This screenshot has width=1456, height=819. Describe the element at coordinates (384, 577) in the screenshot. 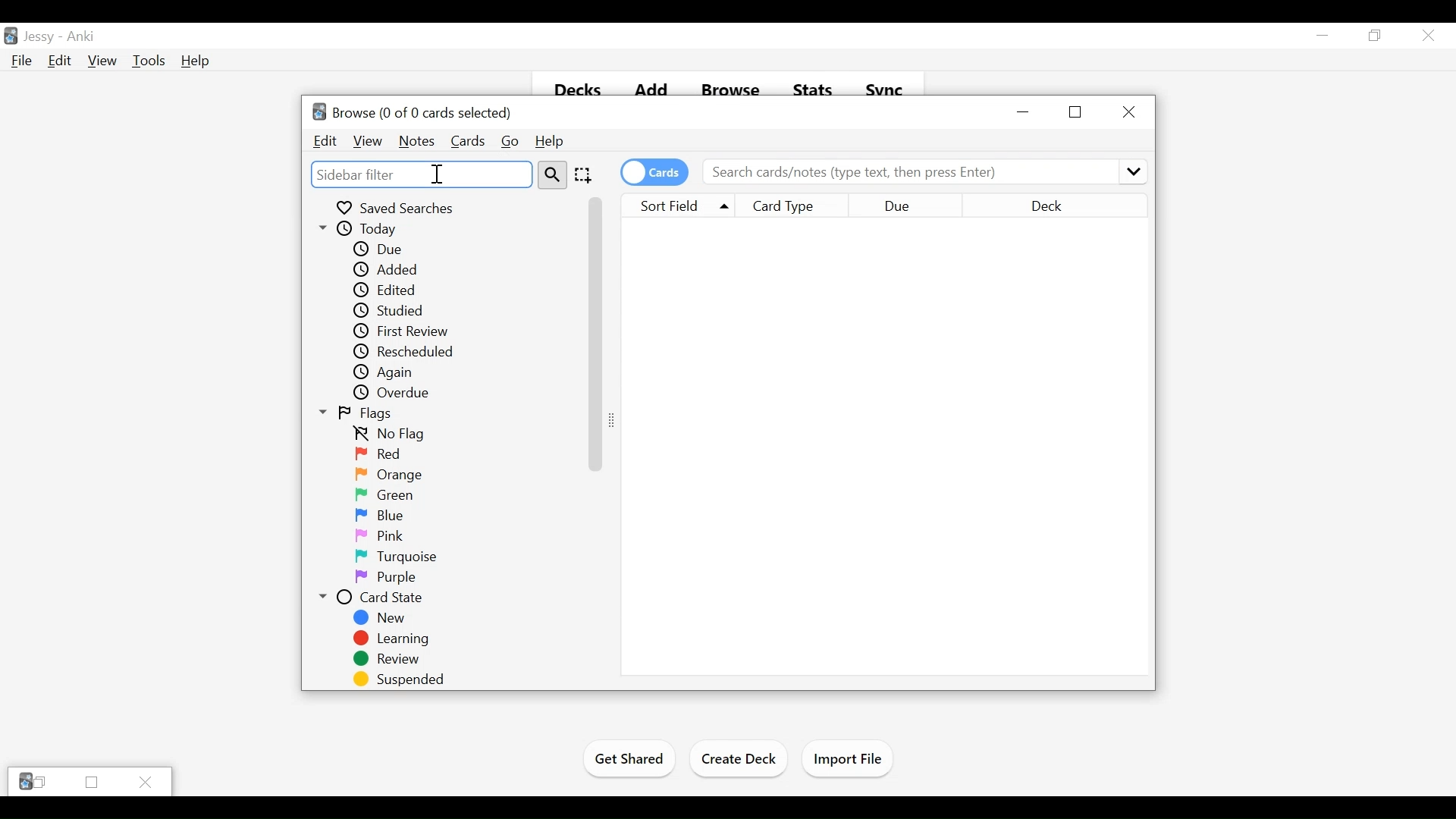

I see `Purple` at that location.